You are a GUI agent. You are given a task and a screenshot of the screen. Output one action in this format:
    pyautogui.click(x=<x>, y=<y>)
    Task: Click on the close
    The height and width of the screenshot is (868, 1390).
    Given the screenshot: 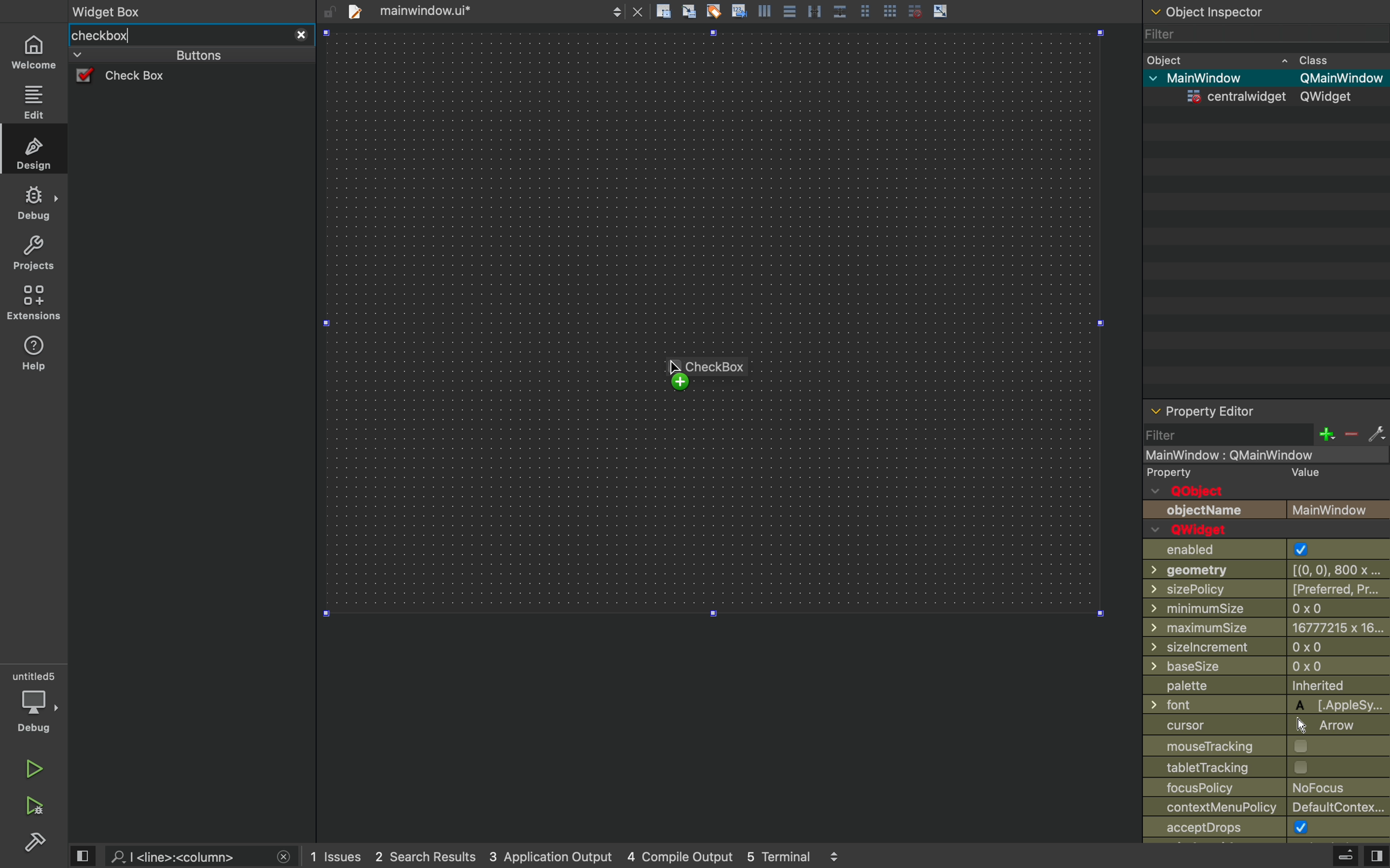 What is the action you would take?
    pyautogui.click(x=284, y=857)
    